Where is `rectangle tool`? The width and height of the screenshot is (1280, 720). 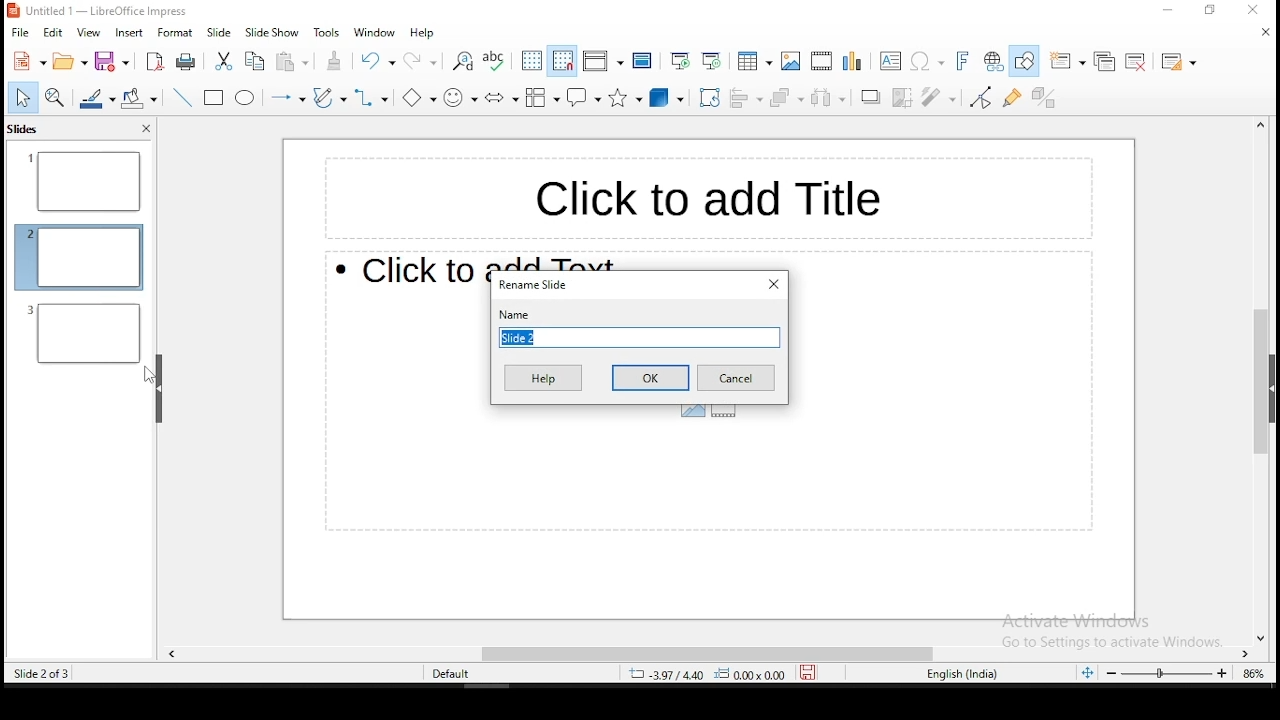 rectangle tool is located at coordinates (212, 98).